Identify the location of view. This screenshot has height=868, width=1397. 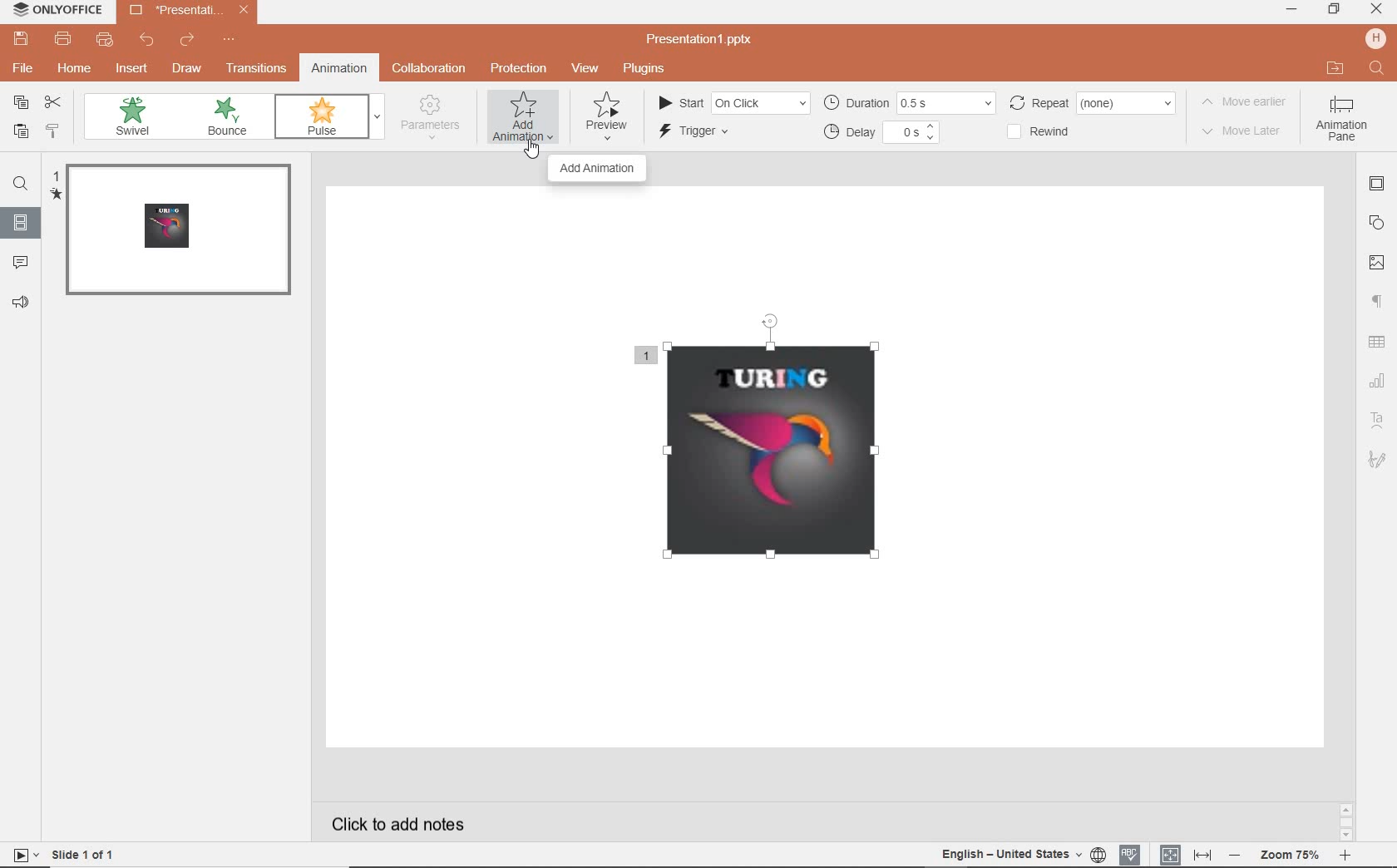
(584, 70).